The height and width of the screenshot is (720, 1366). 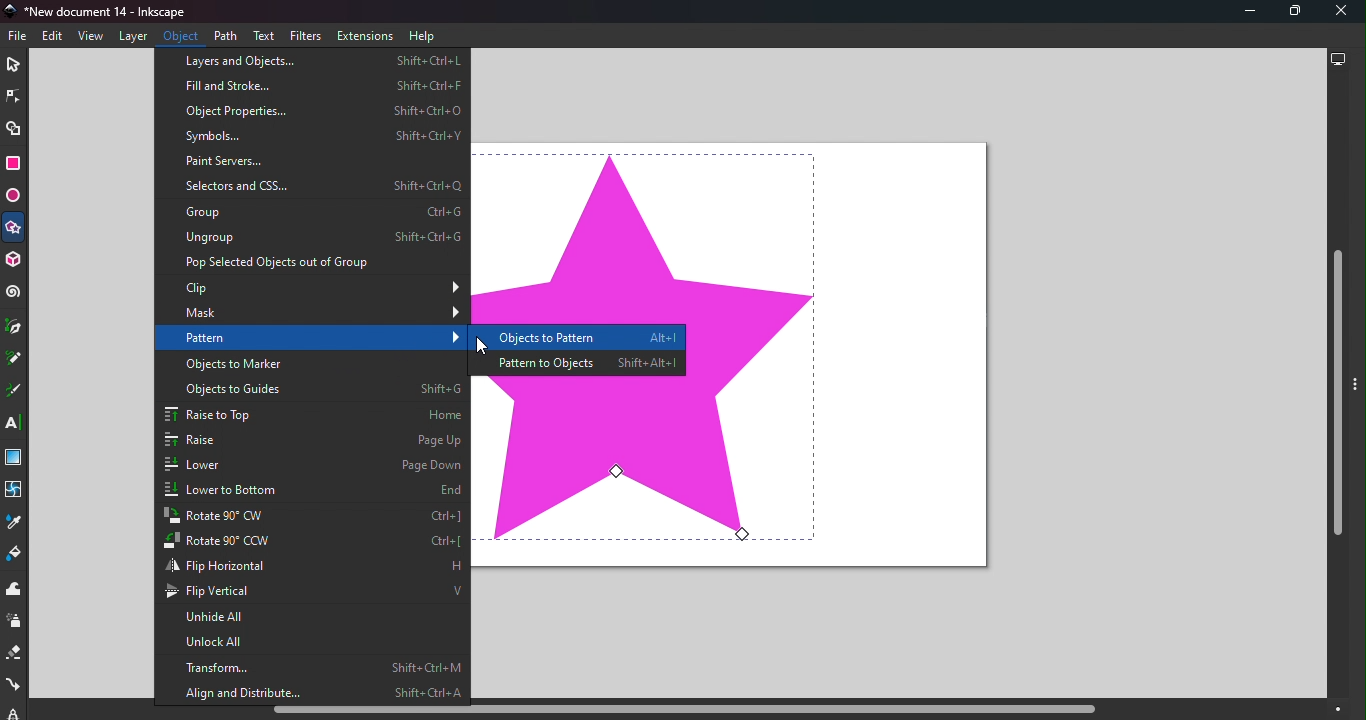 What do you see at coordinates (311, 514) in the screenshot?
I see `Rotate 90 CW` at bounding box center [311, 514].